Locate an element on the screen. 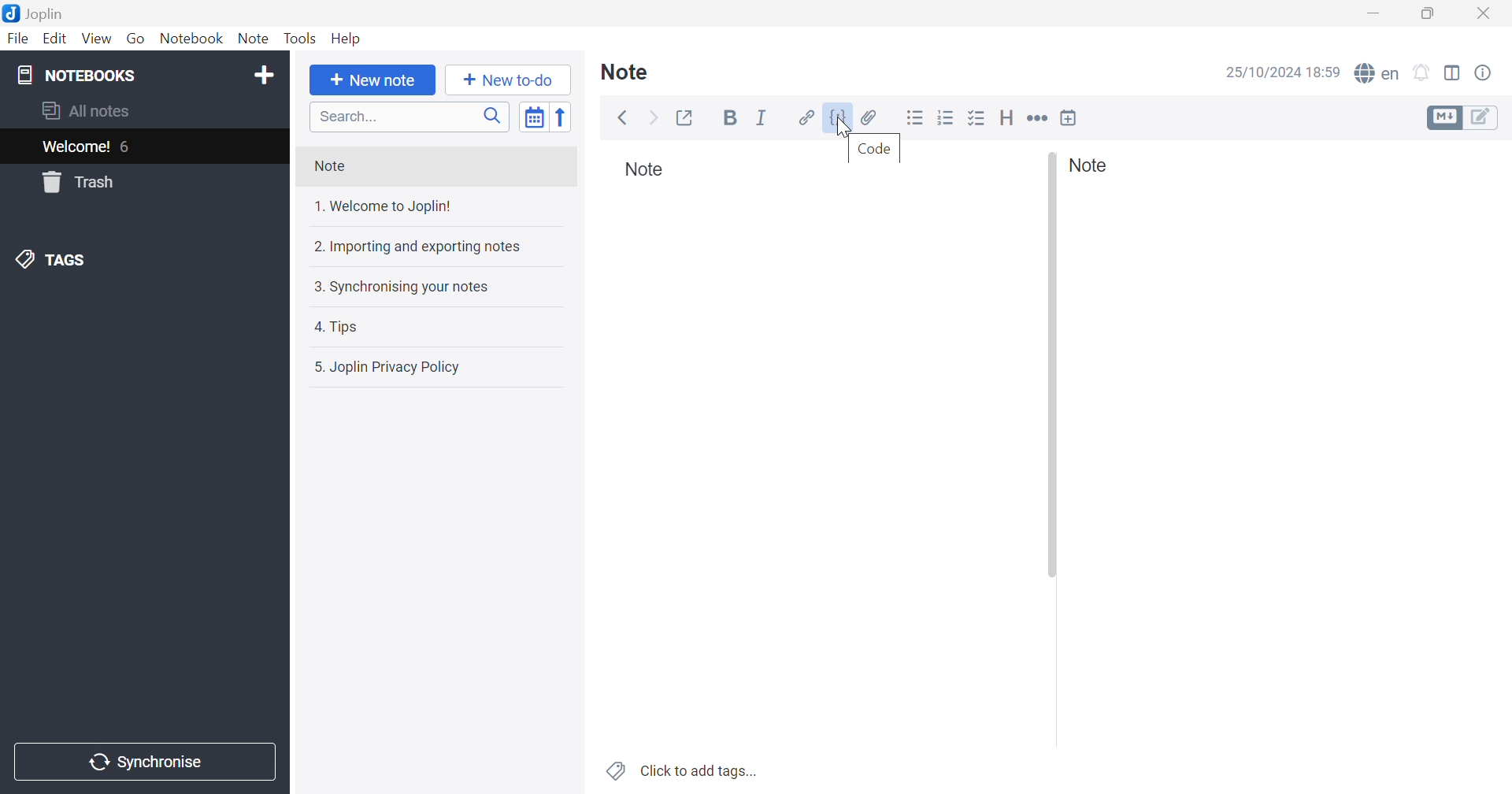 The width and height of the screenshot is (1512, 794). cursor is located at coordinates (843, 127).